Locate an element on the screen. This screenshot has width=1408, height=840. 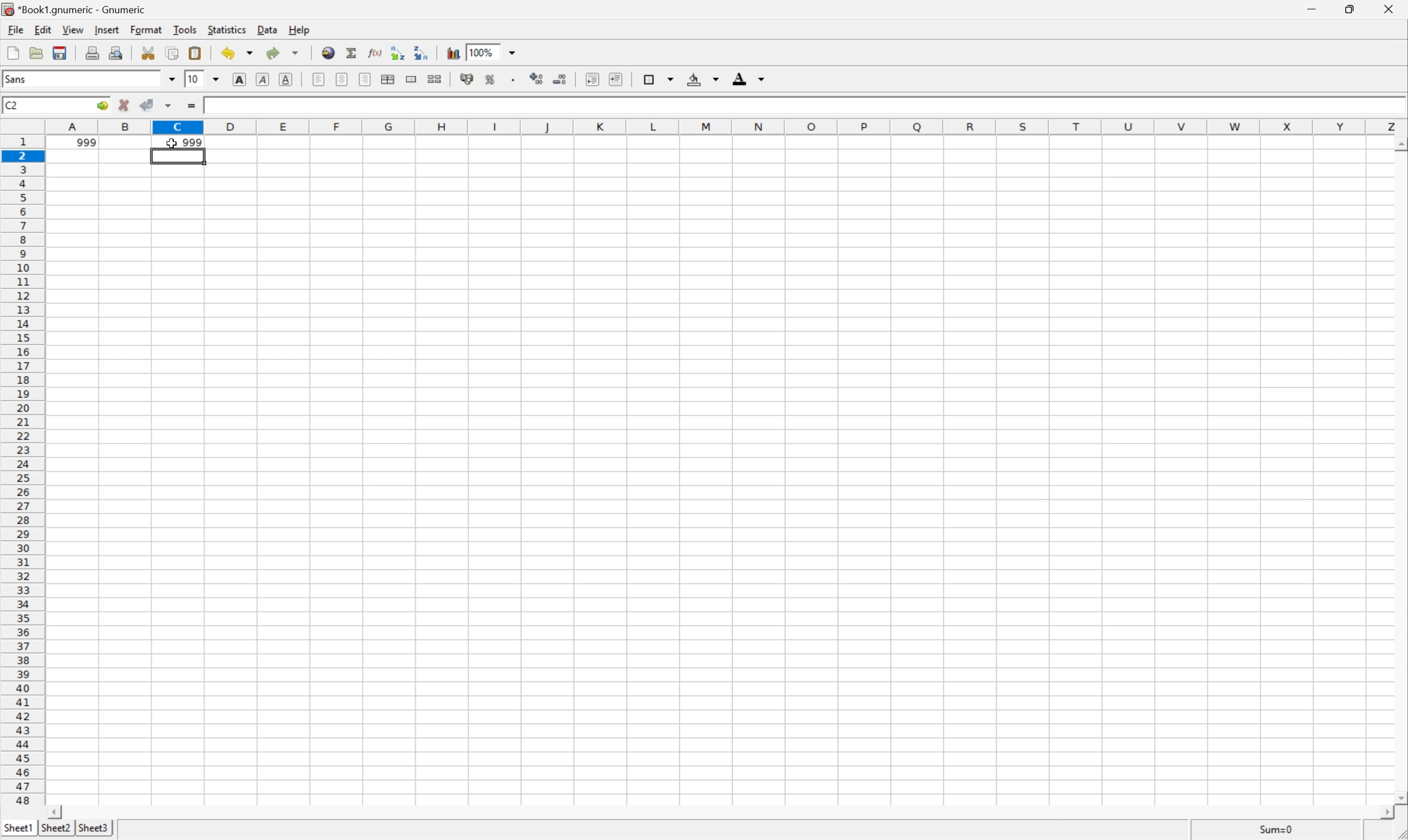
redo is located at coordinates (283, 52).